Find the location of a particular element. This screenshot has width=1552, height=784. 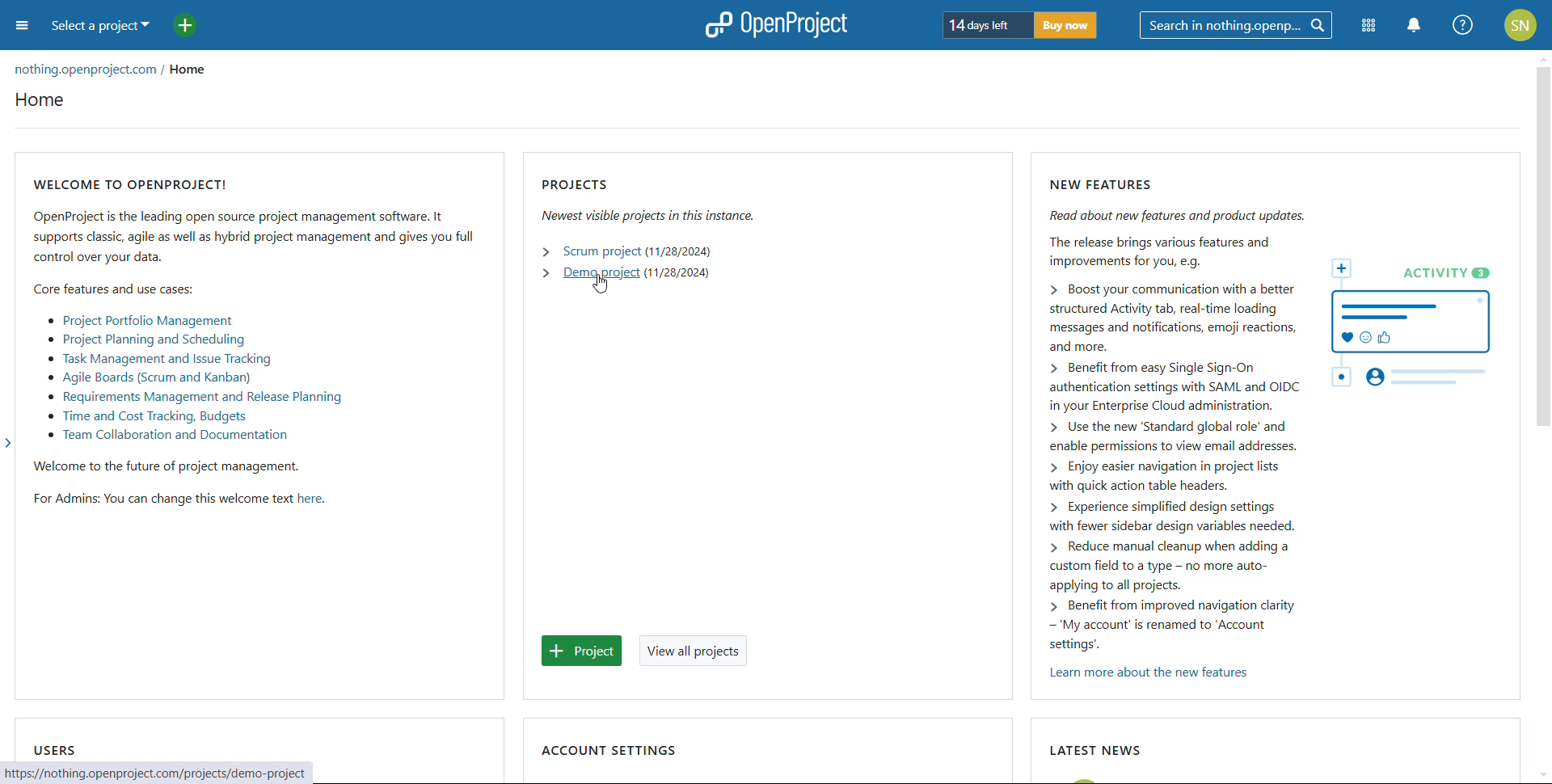

project portfolio management is located at coordinates (141, 321).